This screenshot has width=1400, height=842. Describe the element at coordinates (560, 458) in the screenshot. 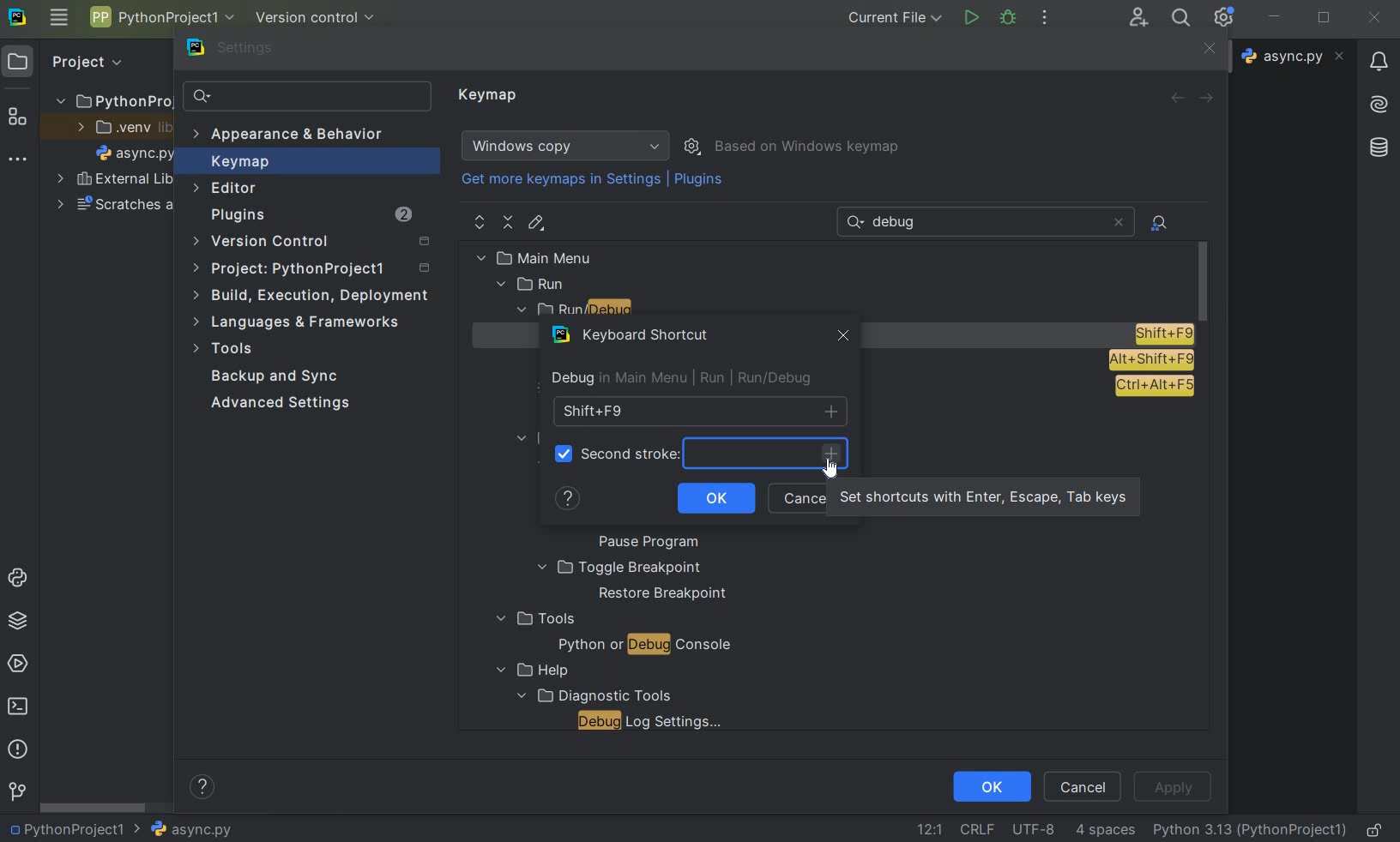

I see `selected` at that location.